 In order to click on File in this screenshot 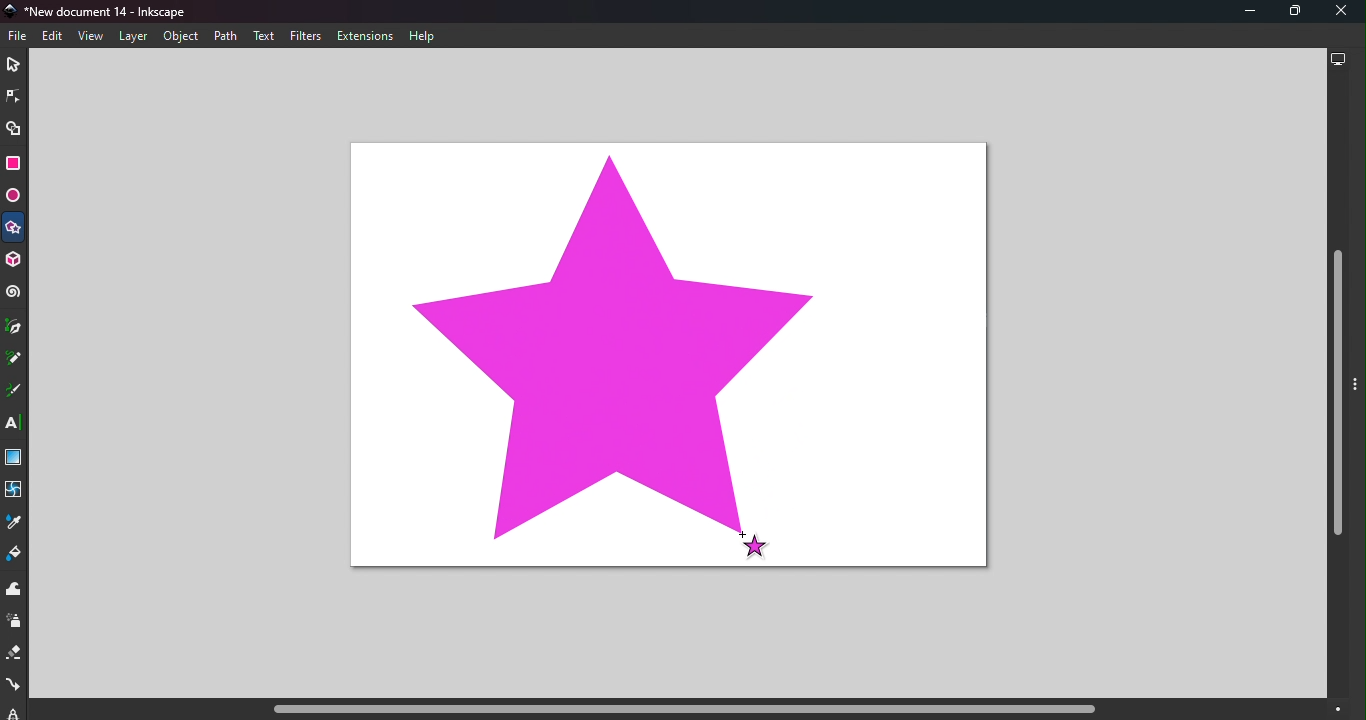, I will do `click(21, 36)`.